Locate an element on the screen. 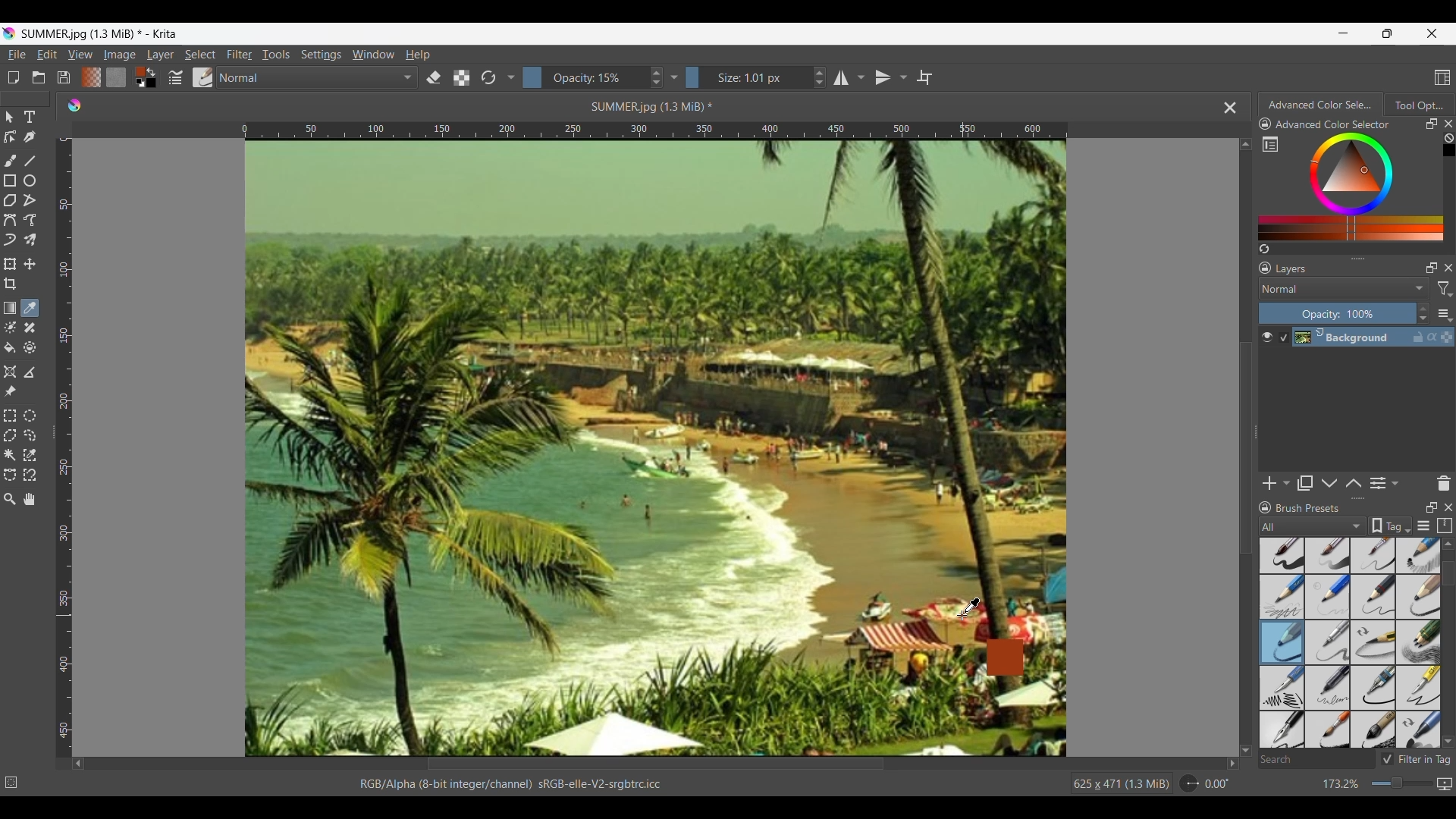 The width and height of the screenshot is (1456, 819). Advanced Color Selector is located at coordinates (1320, 105).